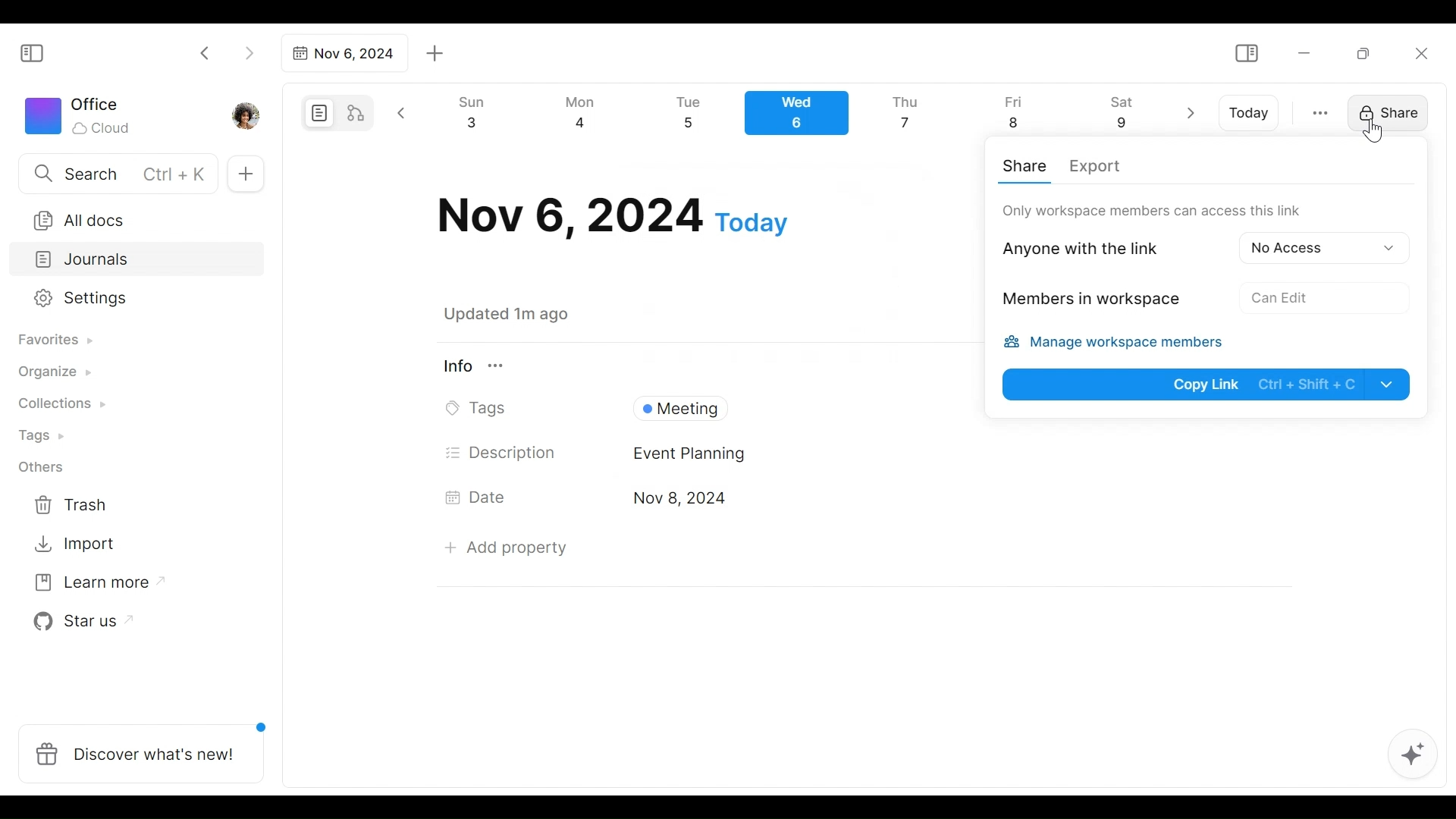 Image resolution: width=1456 pixels, height=819 pixels. I want to click on Learn more, so click(92, 585).